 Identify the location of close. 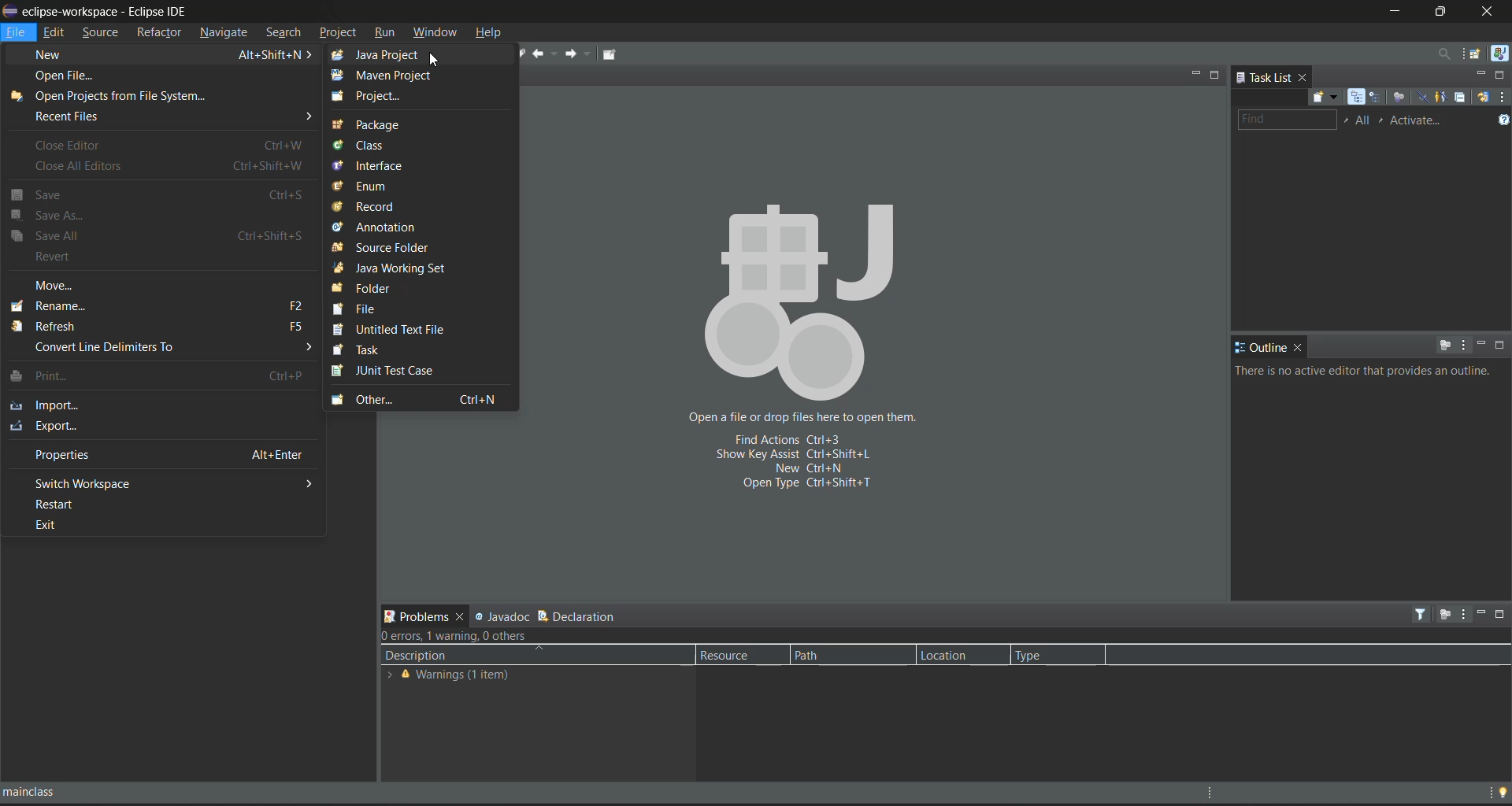
(1299, 347).